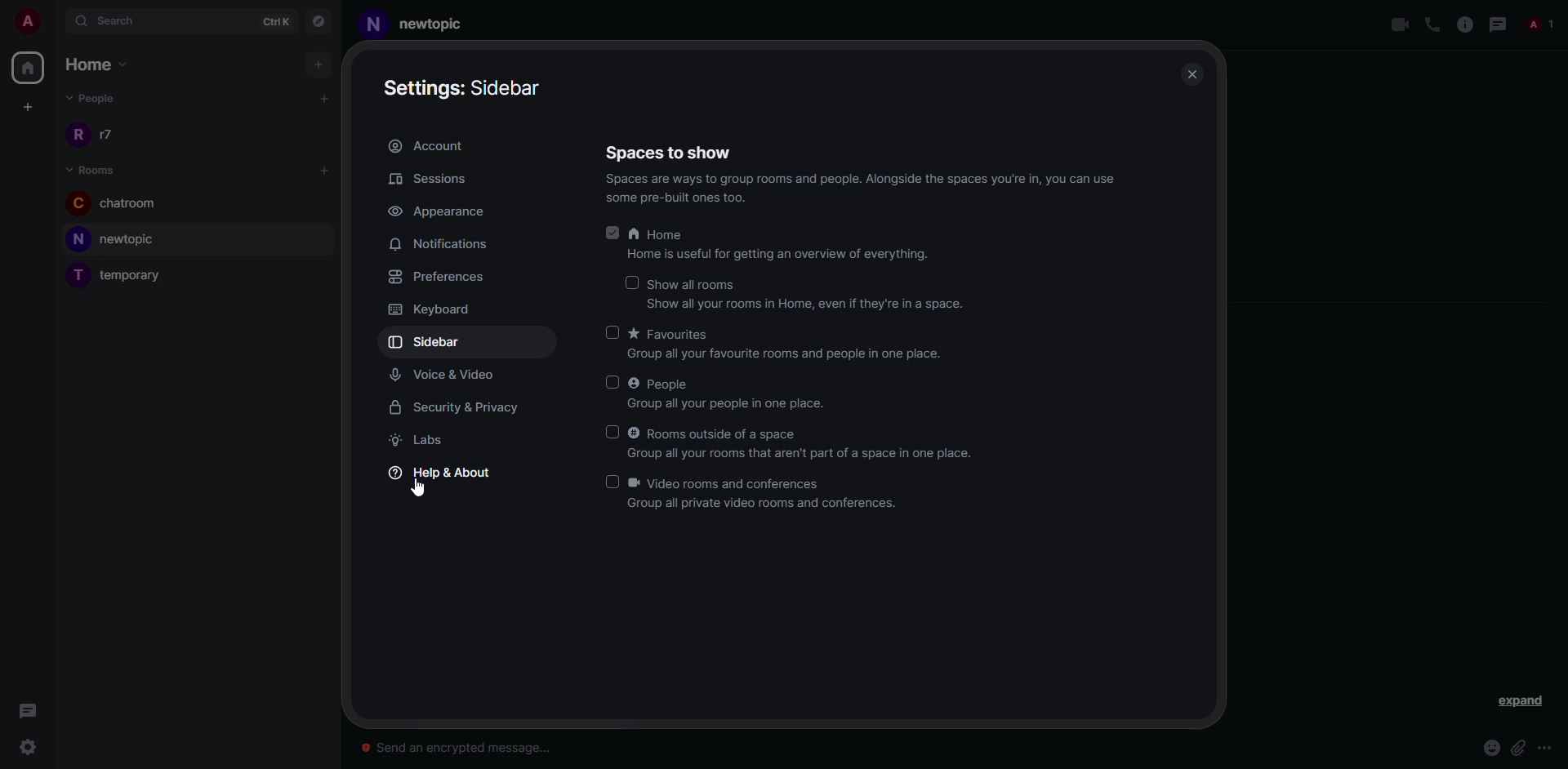 Image resolution: width=1568 pixels, height=769 pixels. What do you see at coordinates (608, 482) in the screenshot?
I see `select` at bounding box center [608, 482].